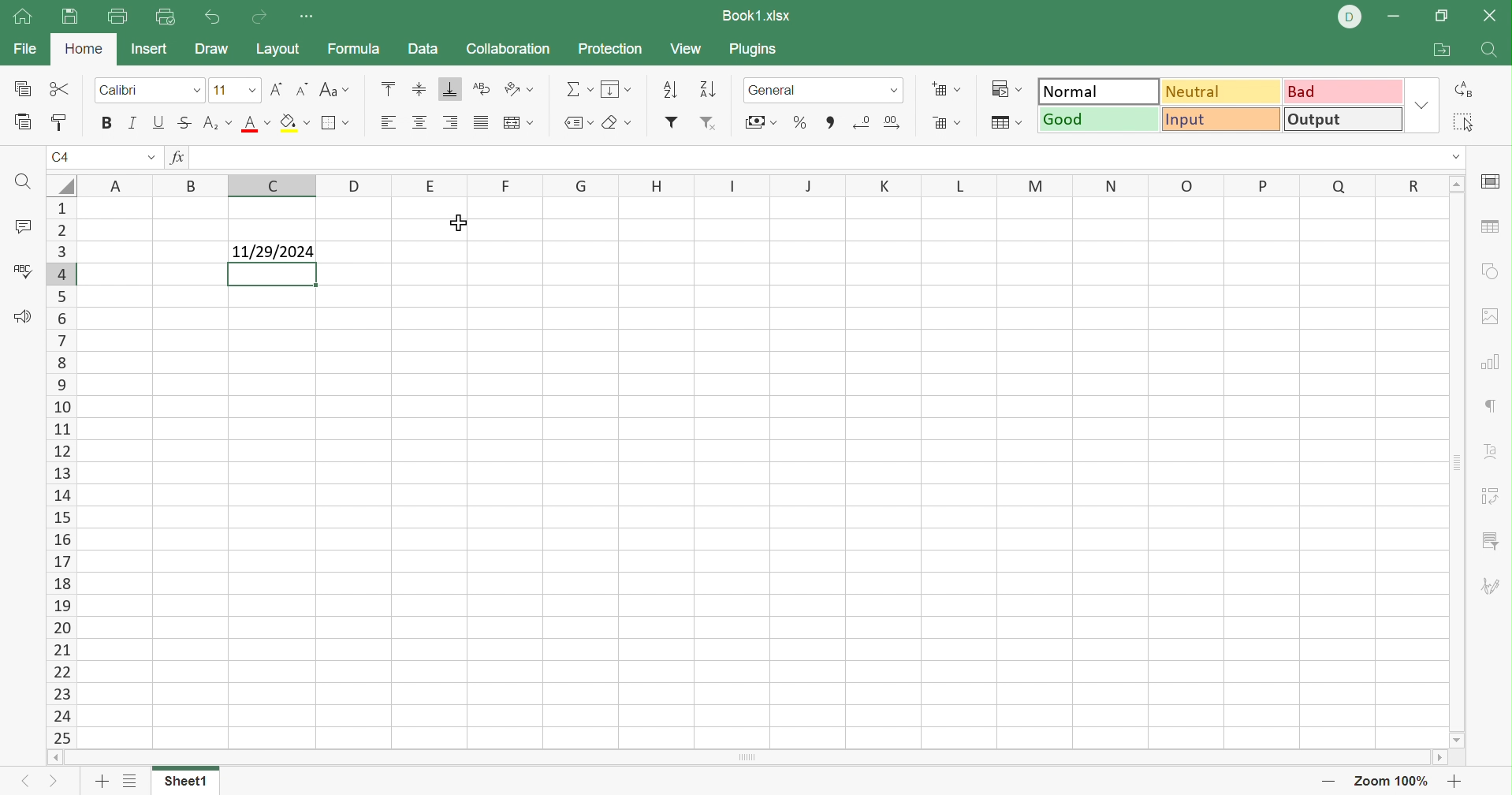 The width and height of the screenshot is (1512, 795). What do you see at coordinates (273, 252) in the screenshot?
I see `11/29/2024` at bounding box center [273, 252].